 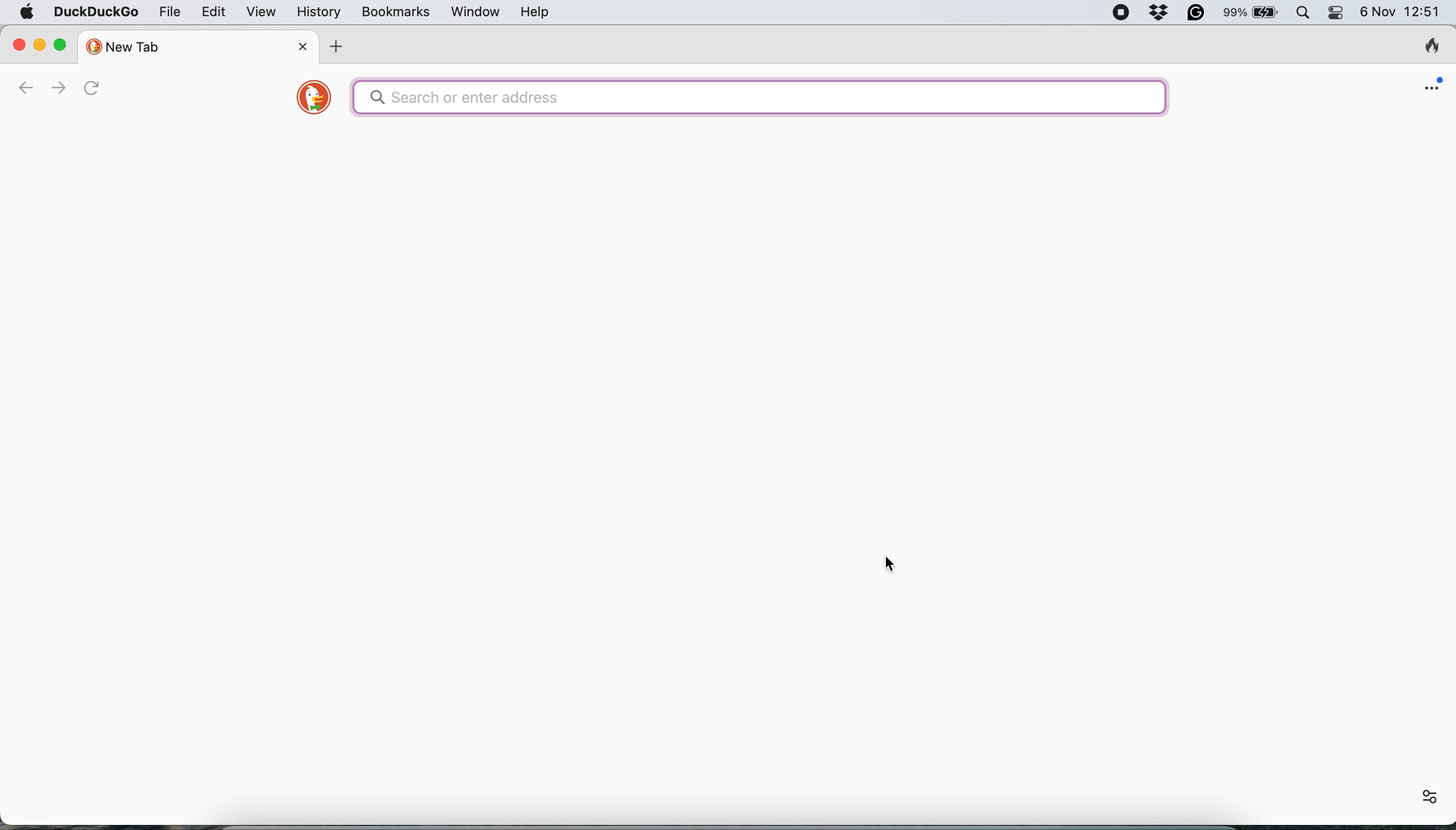 What do you see at coordinates (339, 46) in the screenshot?
I see `add new tab` at bounding box center [339, 46].